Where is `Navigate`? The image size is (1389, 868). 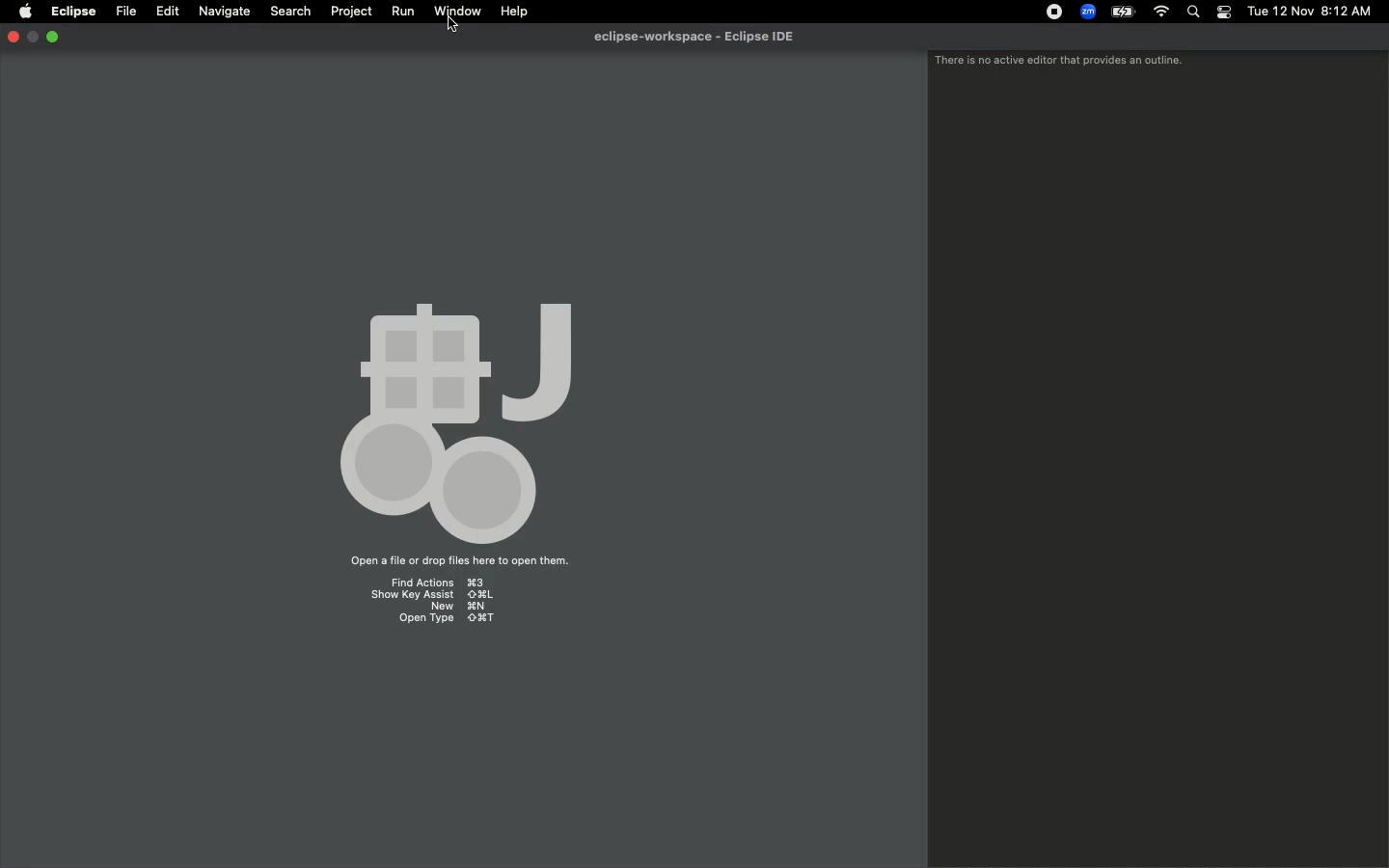 Navigate is located at coordinates (222, 12).